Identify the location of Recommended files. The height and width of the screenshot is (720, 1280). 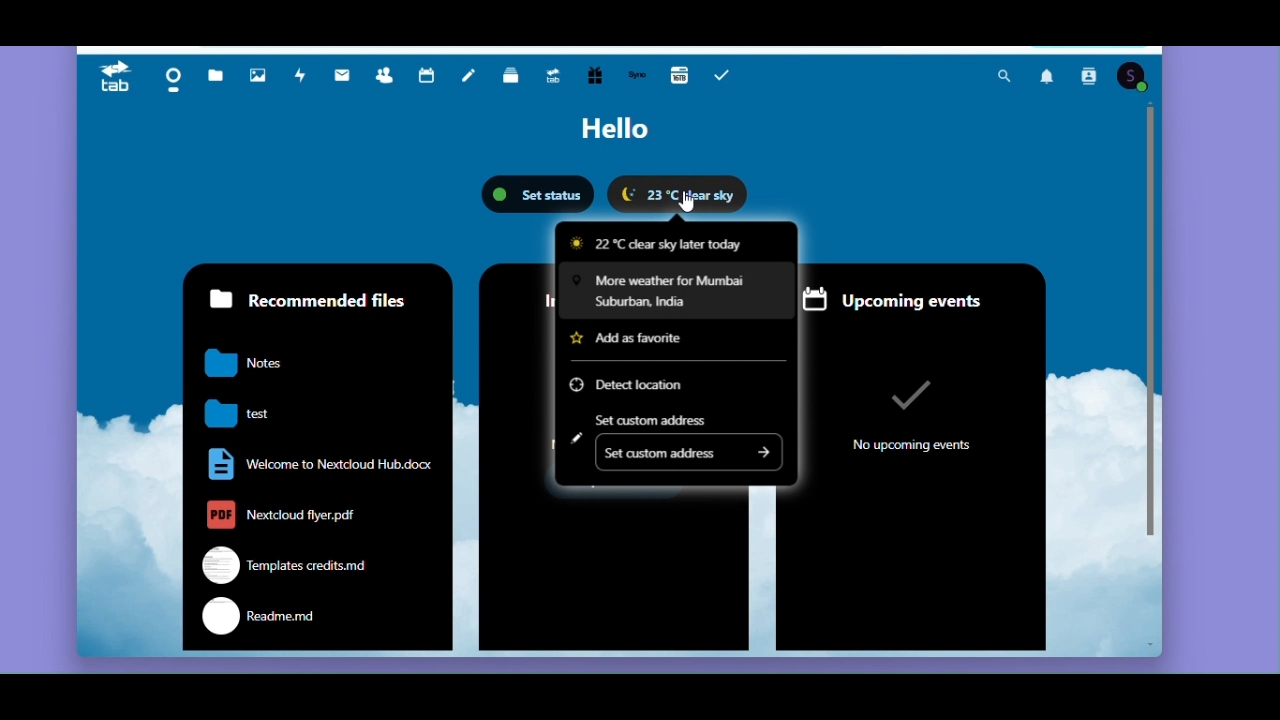
(311, 298).